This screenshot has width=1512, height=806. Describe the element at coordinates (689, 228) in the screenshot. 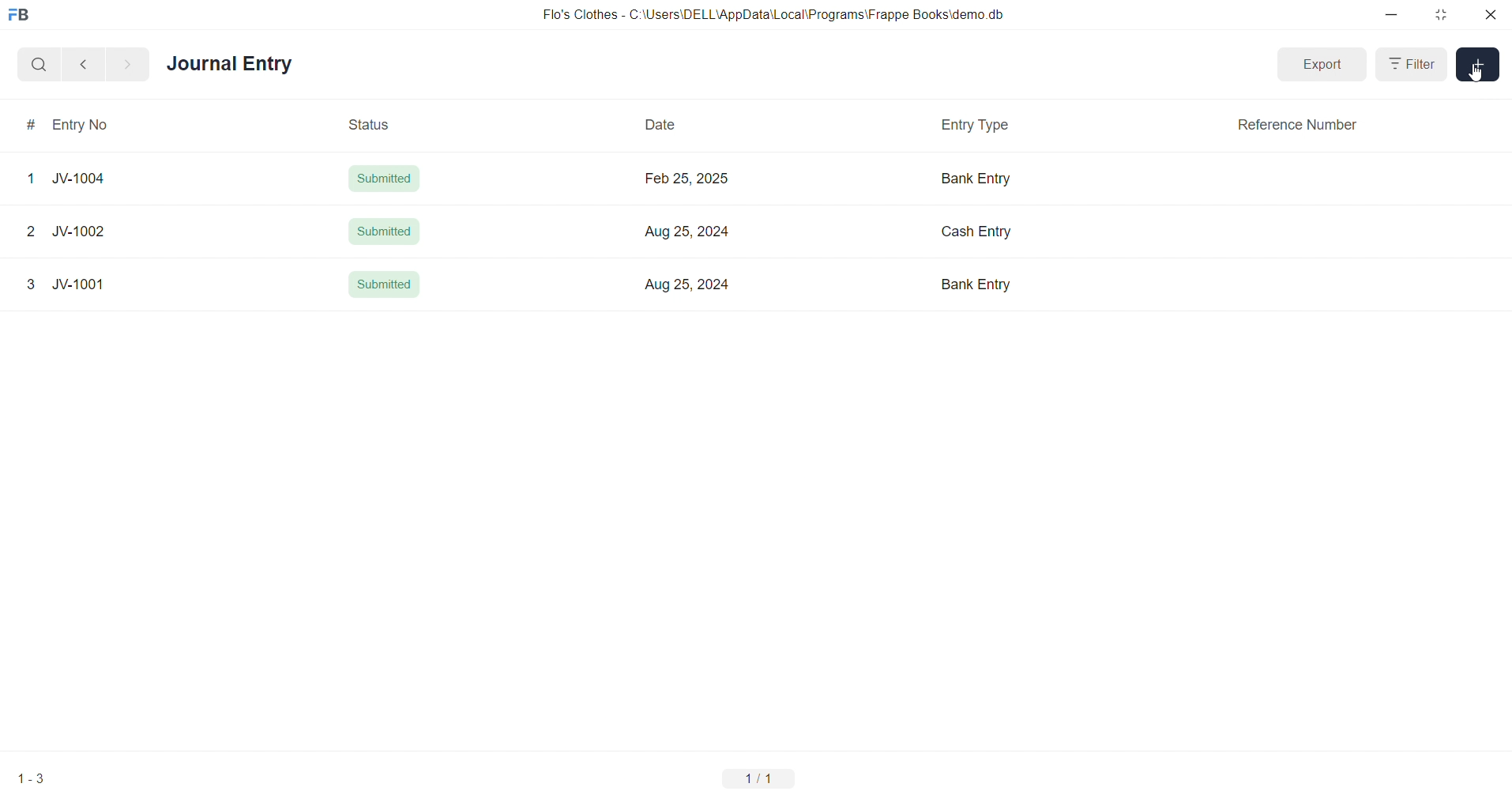

I see `Aug 25, 2024` at that location.